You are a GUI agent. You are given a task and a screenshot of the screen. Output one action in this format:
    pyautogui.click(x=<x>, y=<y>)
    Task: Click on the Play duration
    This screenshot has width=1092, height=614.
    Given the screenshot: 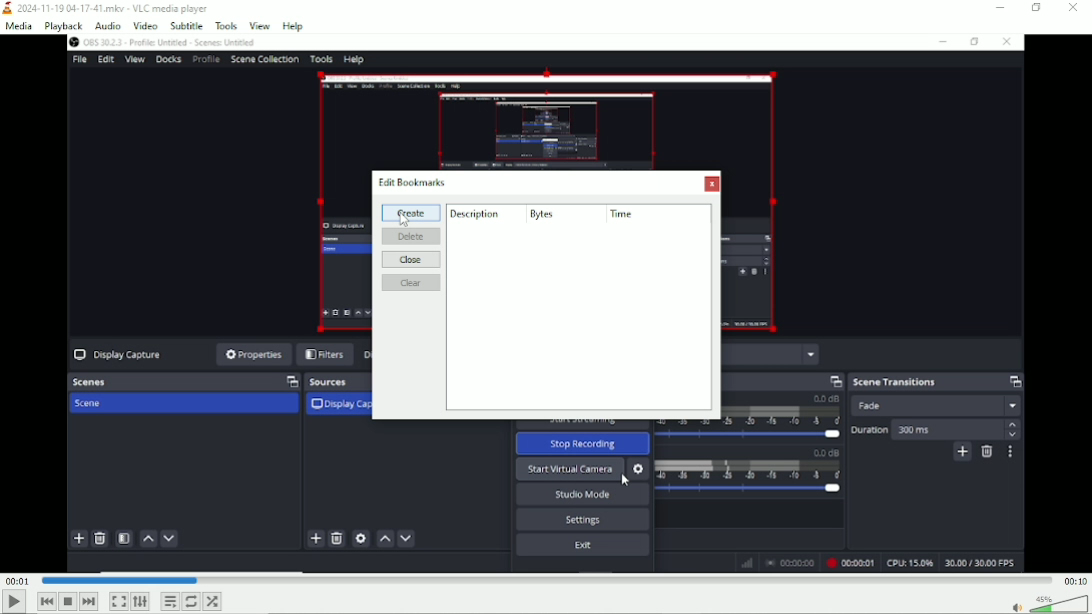 What is the action you would take?
    pyautogui.click(x=546, y=580)
    